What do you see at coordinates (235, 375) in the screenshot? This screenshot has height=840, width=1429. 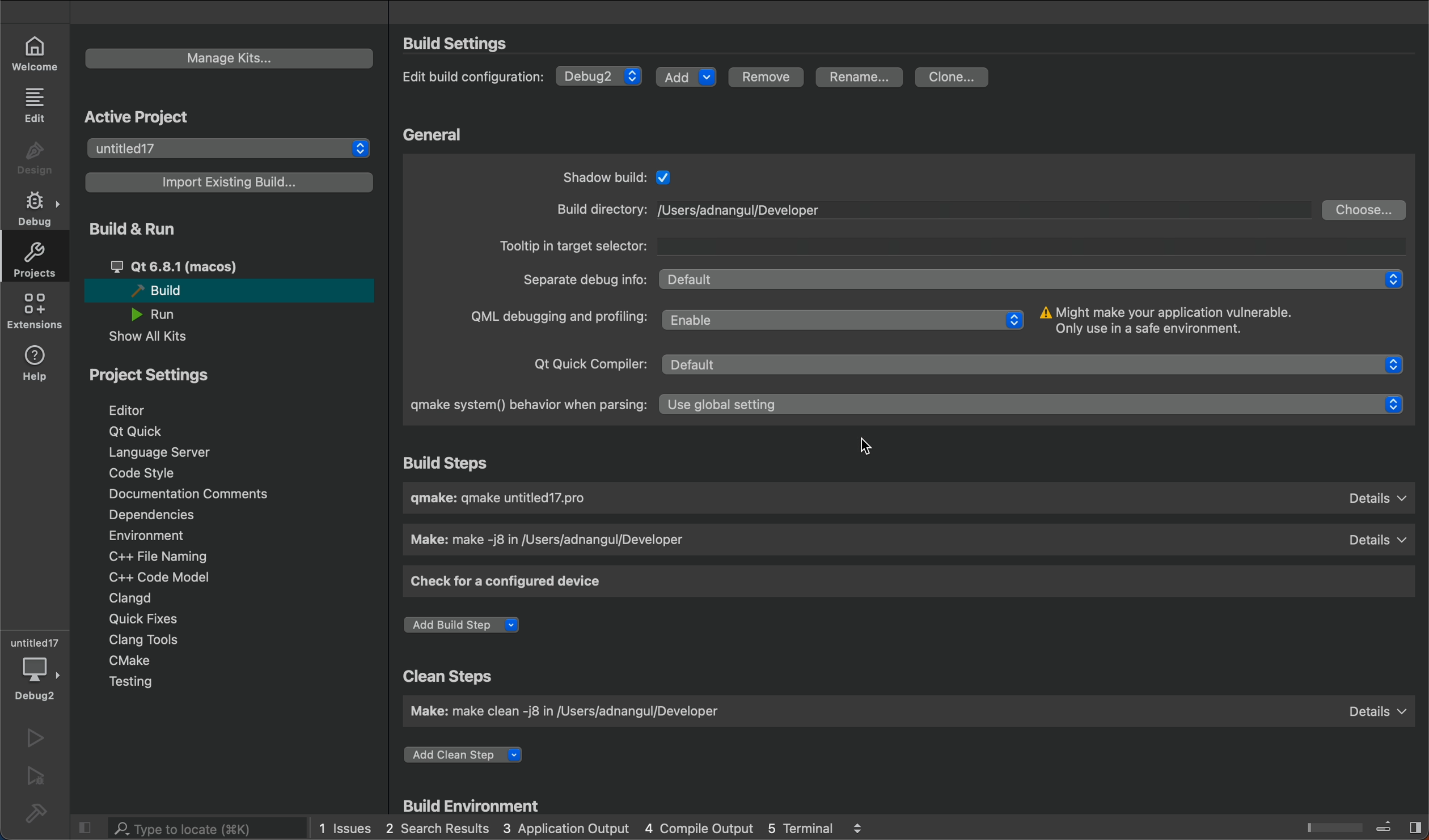 I see `project settings` at bounding box center [235, 375].